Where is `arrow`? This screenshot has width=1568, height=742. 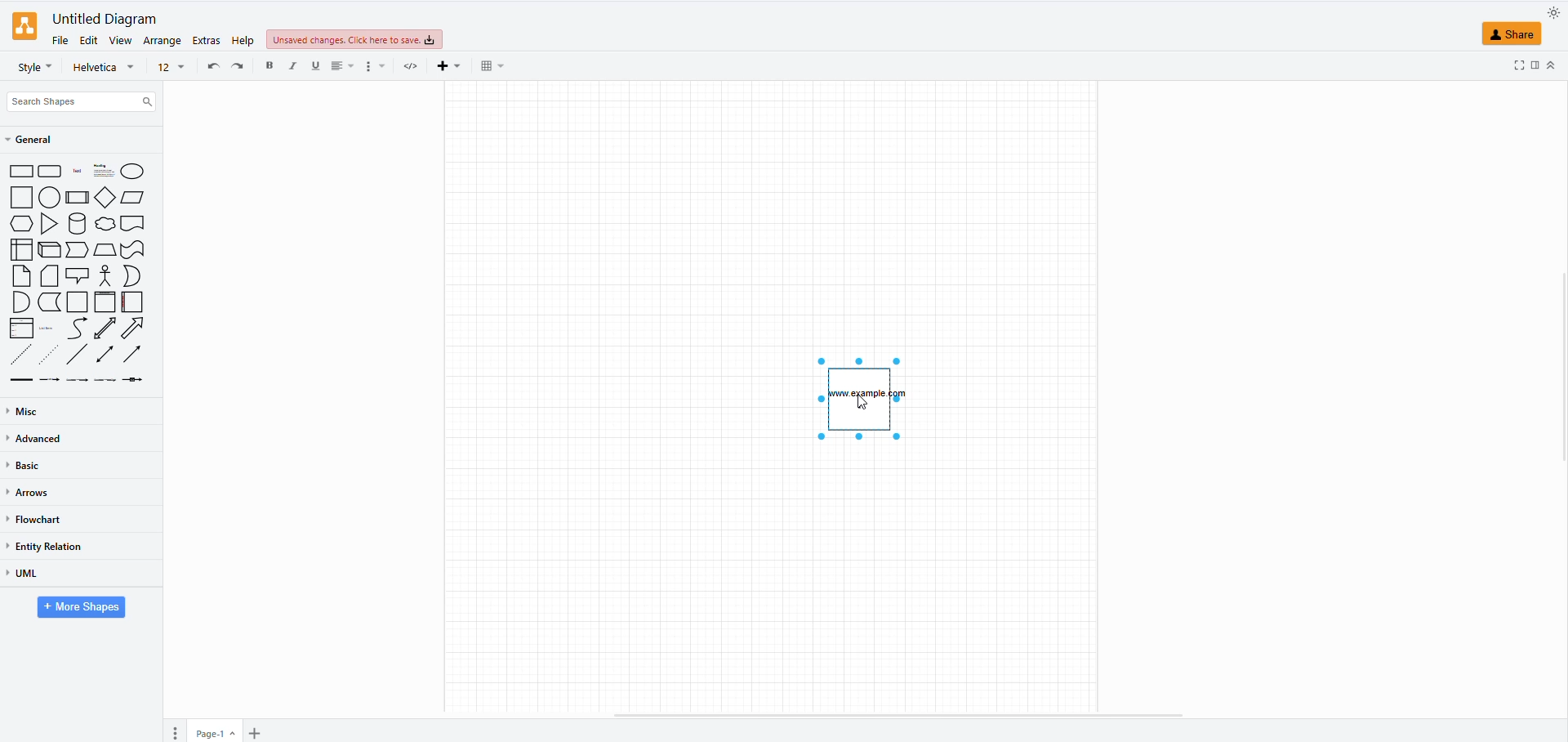 arrow is located at coordinates (136, 329).